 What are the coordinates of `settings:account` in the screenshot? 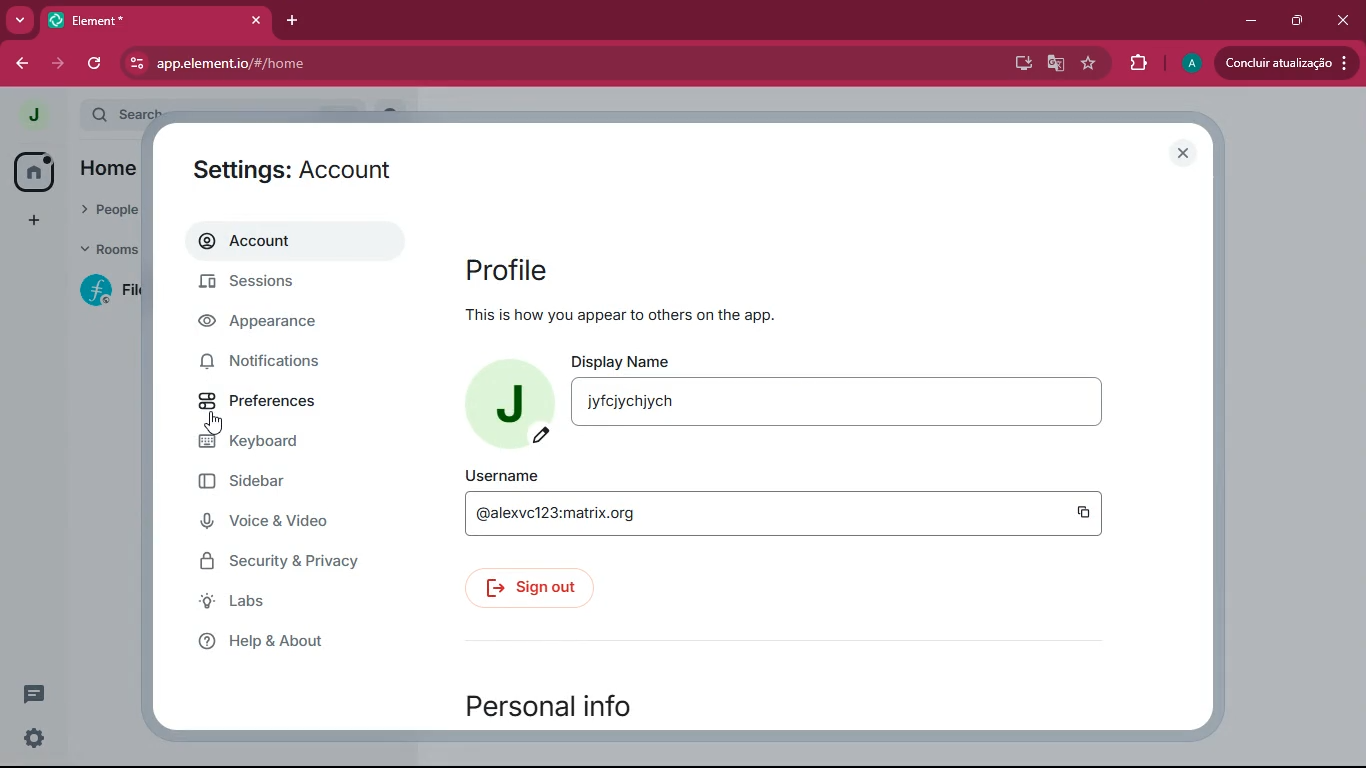 It's located at (303, 168).